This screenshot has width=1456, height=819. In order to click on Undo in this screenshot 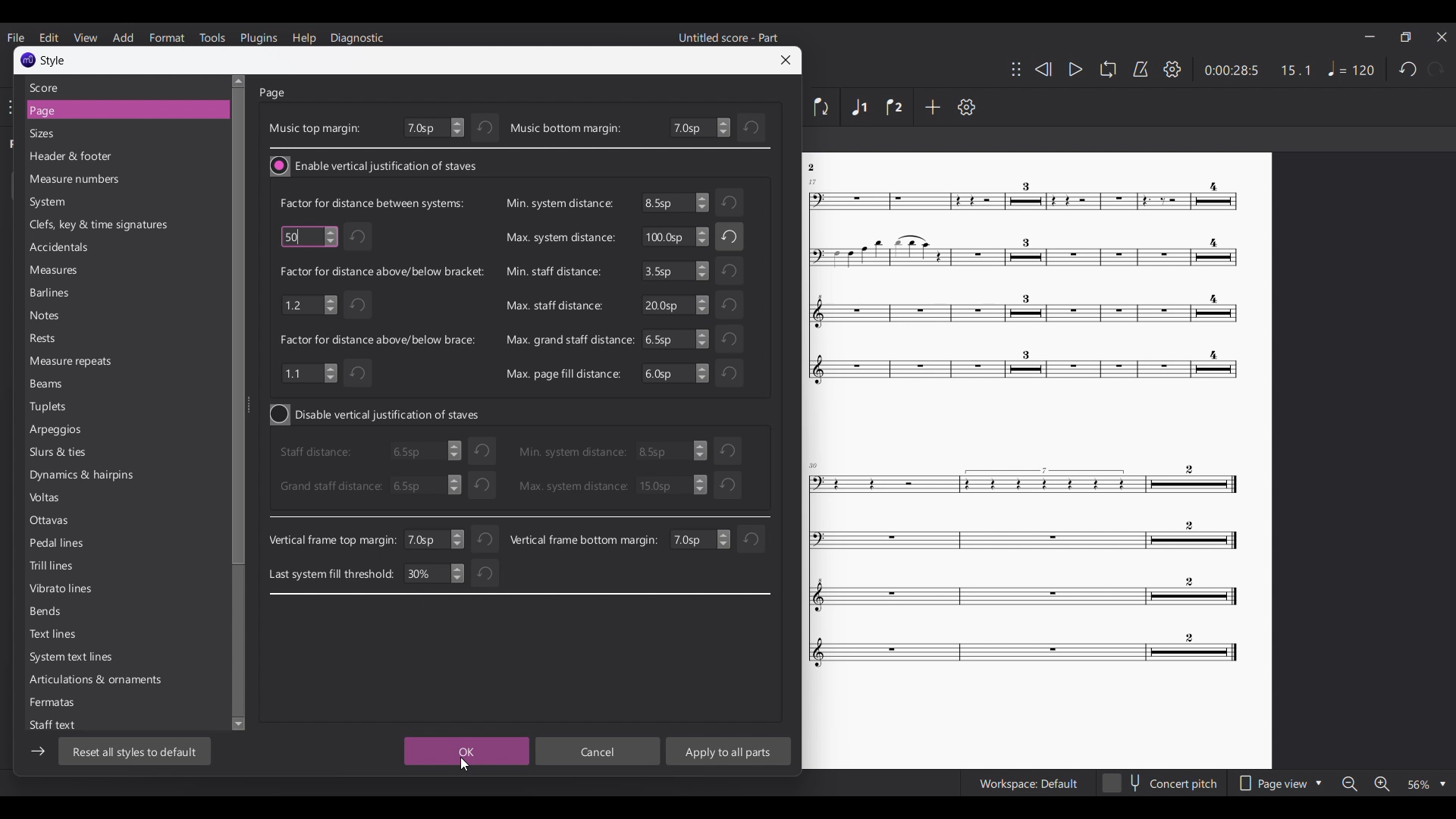, I will do `click(483, 484)`.